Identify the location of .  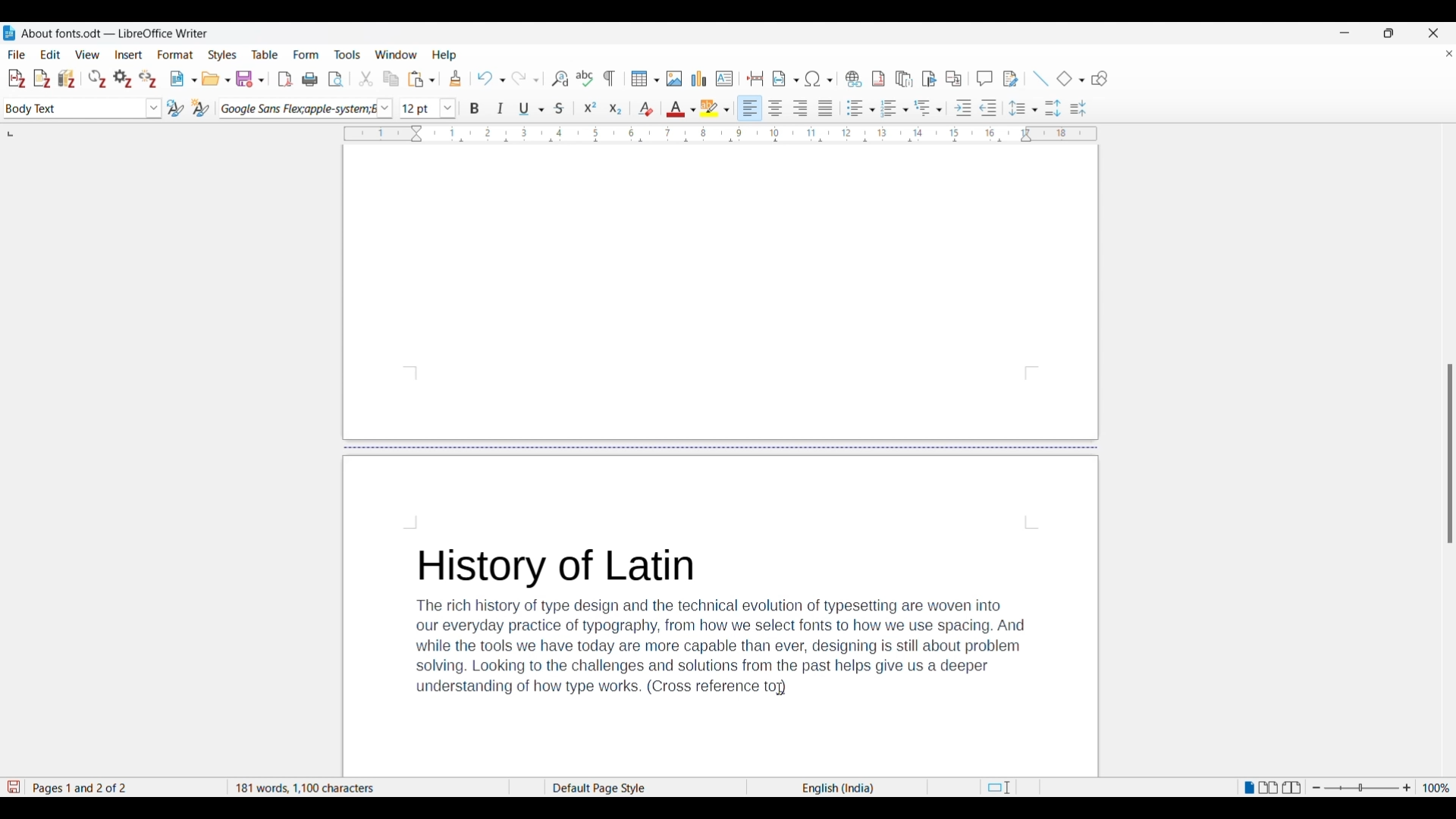
(1447, 457).